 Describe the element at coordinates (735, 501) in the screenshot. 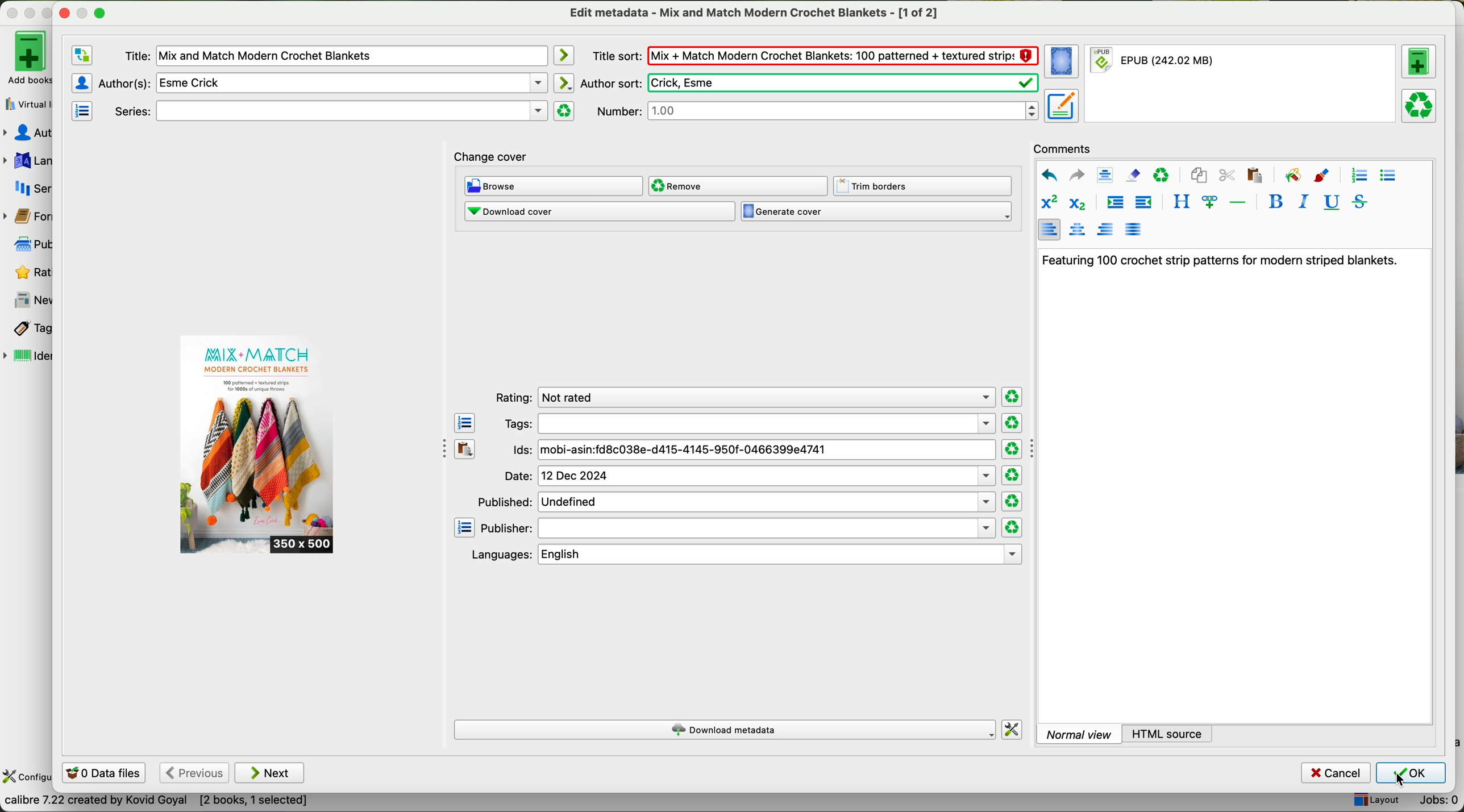

I see `published` at that location.